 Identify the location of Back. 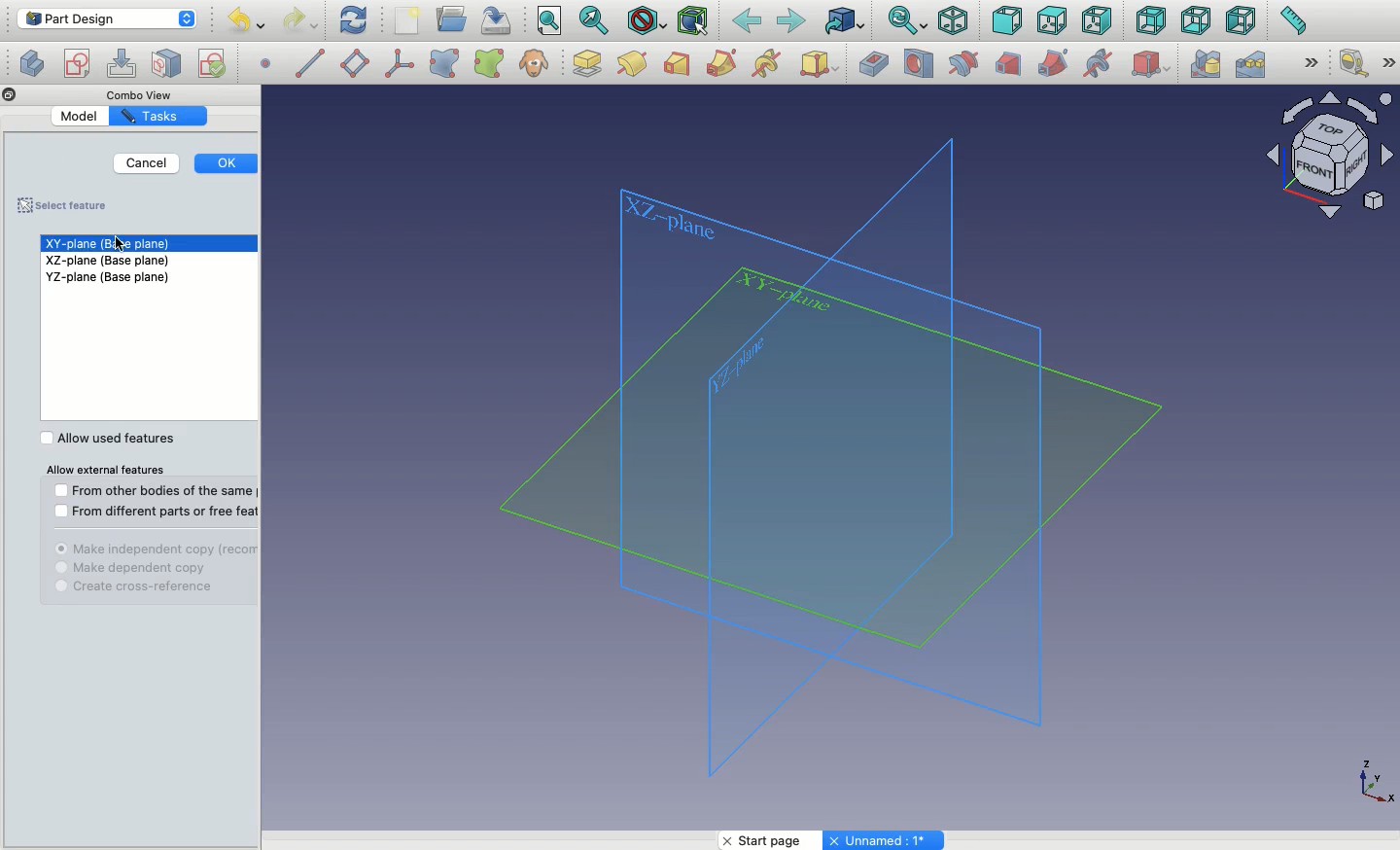
(748, 21).